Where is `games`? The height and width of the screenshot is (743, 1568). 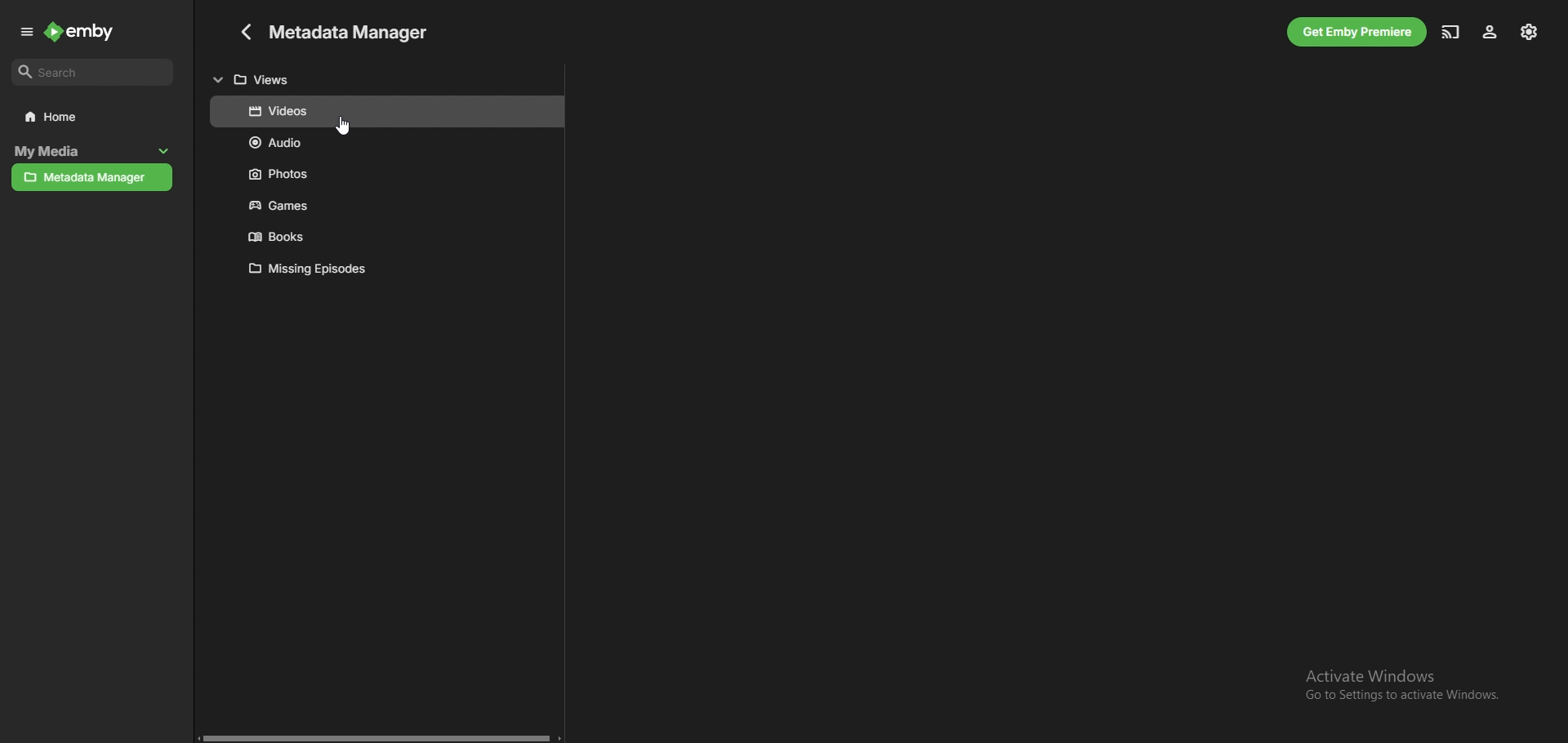
games is located at coordinates (386, 203).